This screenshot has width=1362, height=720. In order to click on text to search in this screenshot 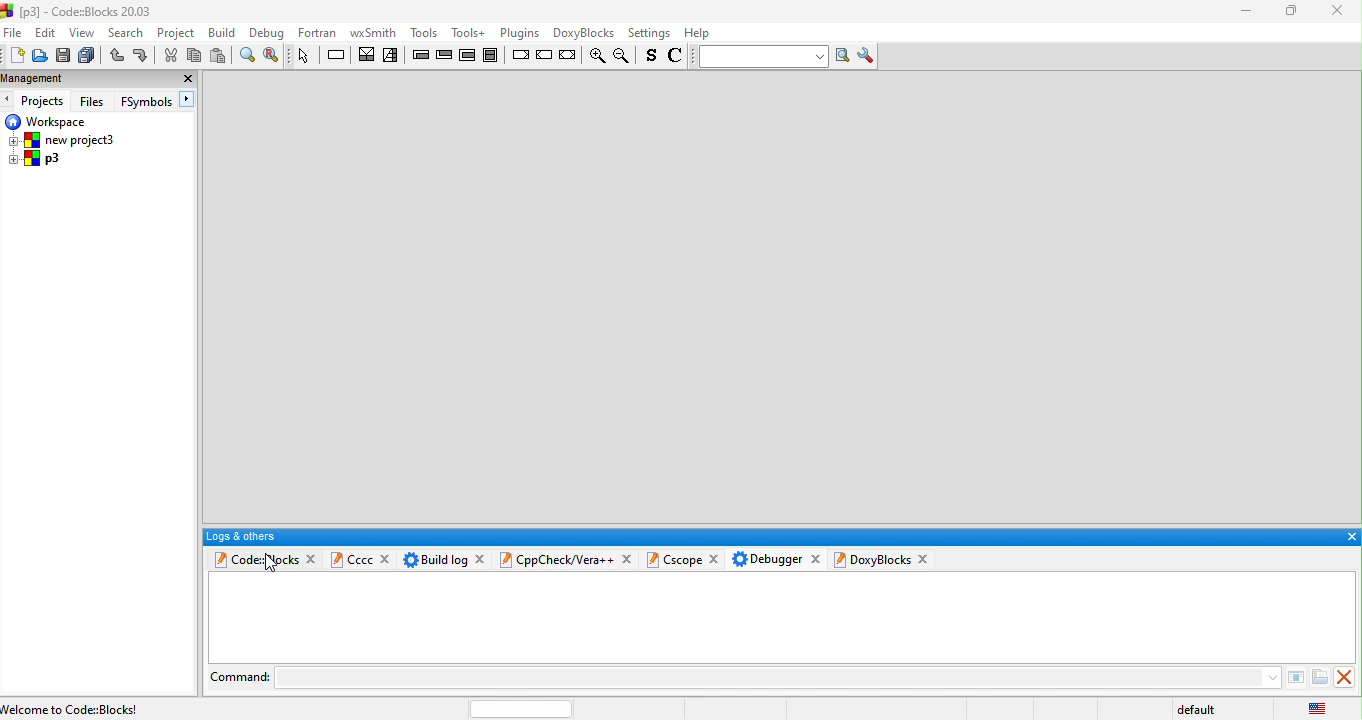, I will do `click(761, 56)`.